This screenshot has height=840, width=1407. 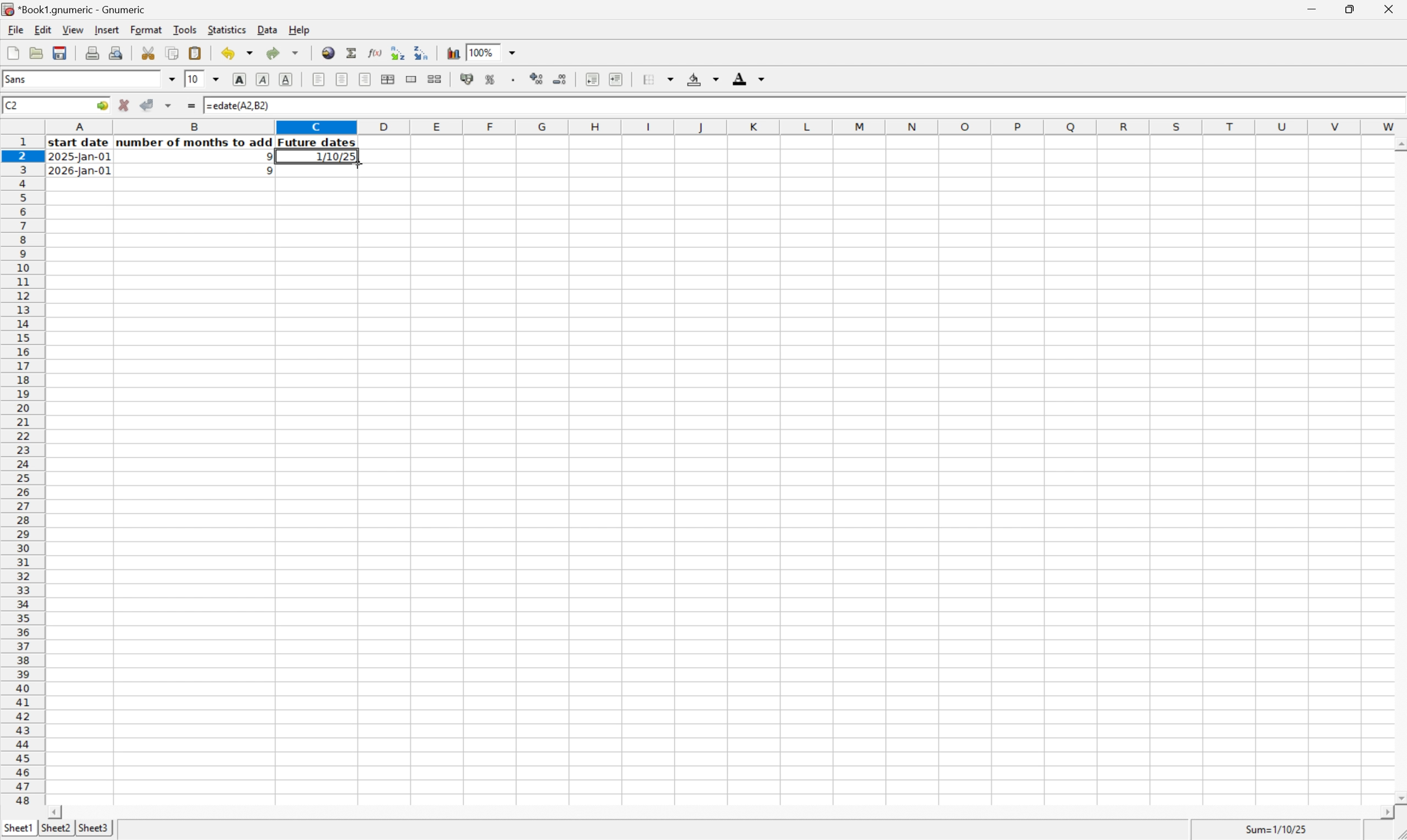 I want to click on Edit function in current cell, so click(x=372, y=52).